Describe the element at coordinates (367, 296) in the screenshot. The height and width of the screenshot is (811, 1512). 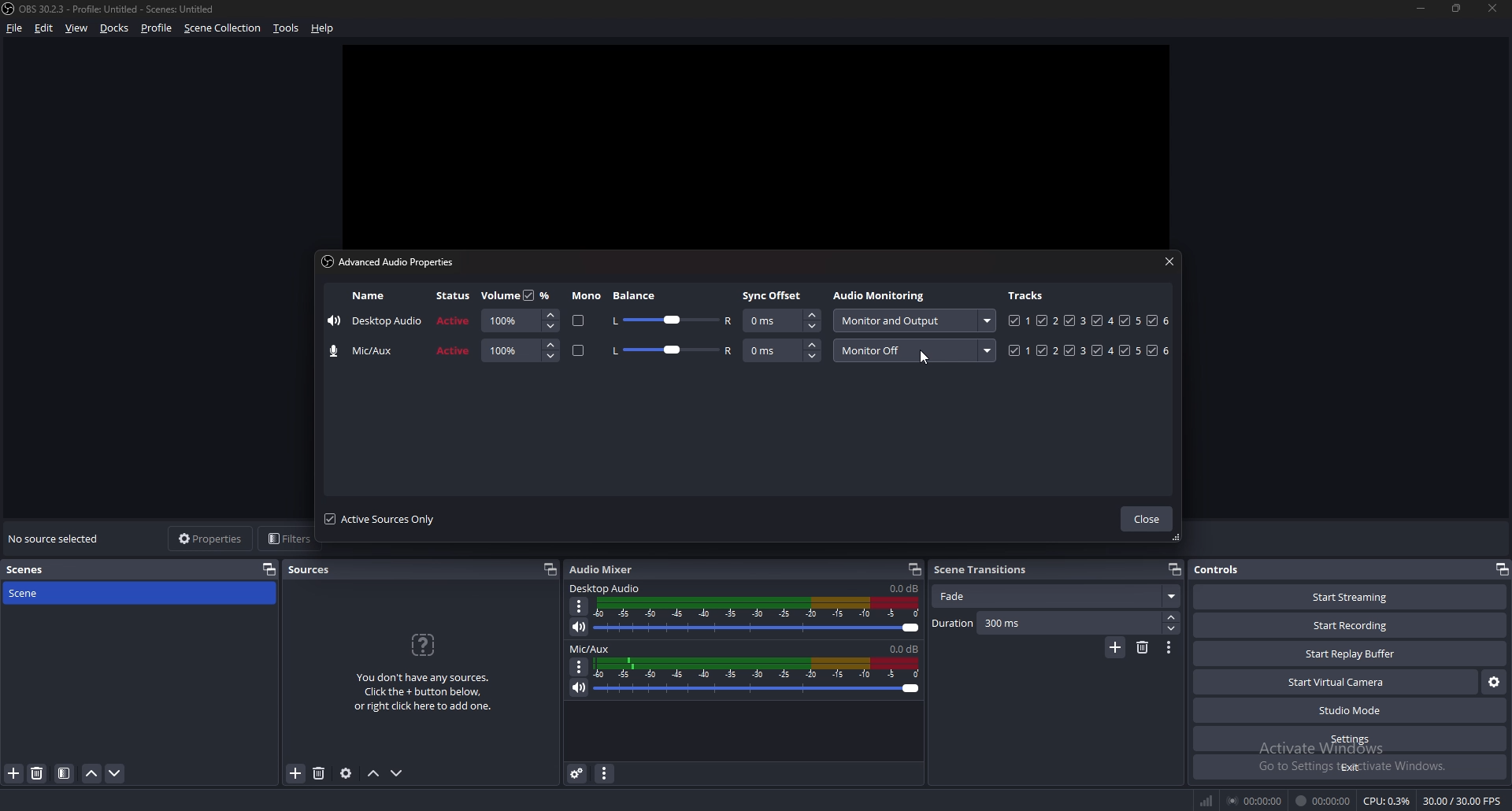
I see `name` at that location.